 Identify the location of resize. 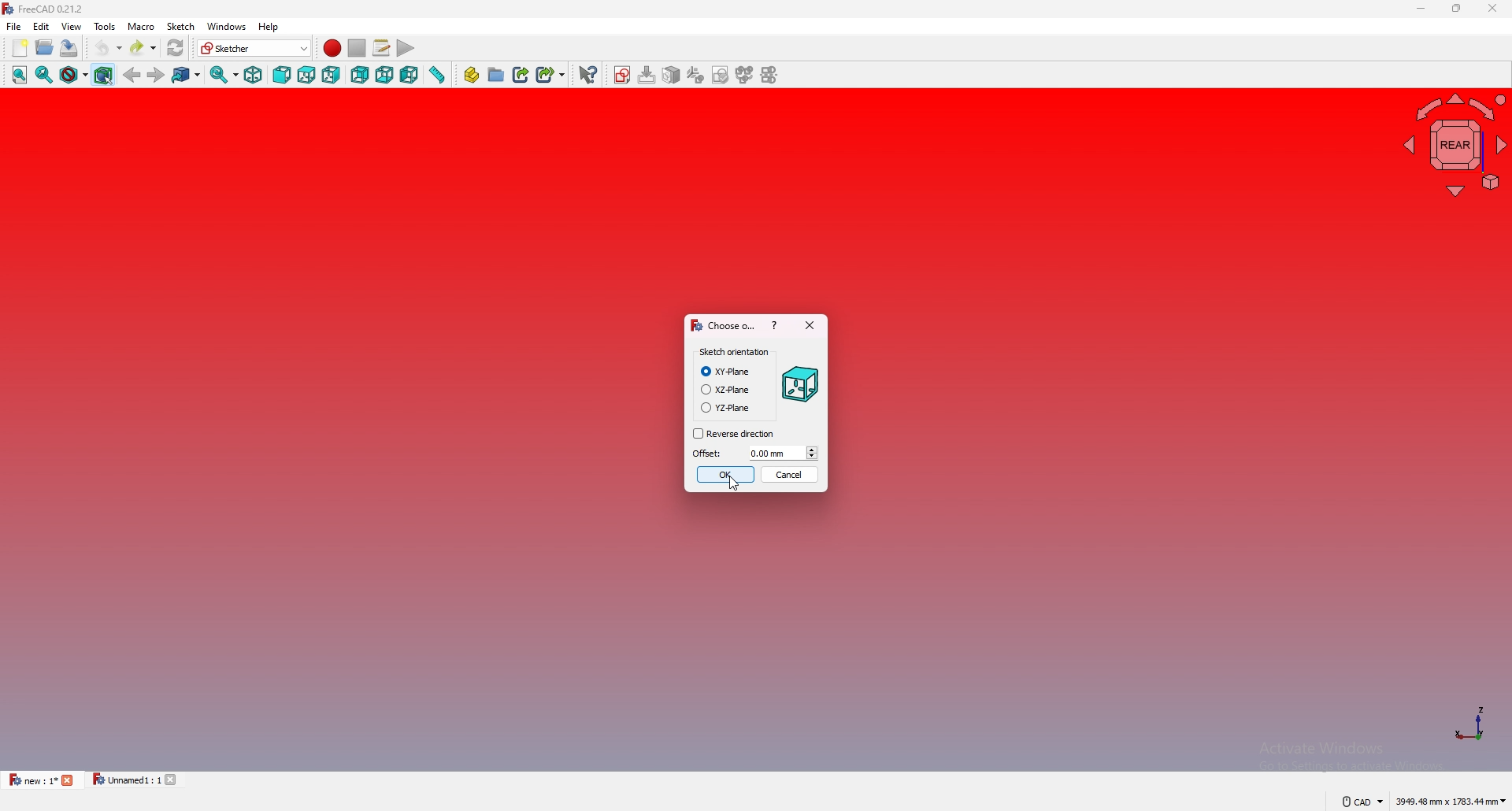
(1458, 8).